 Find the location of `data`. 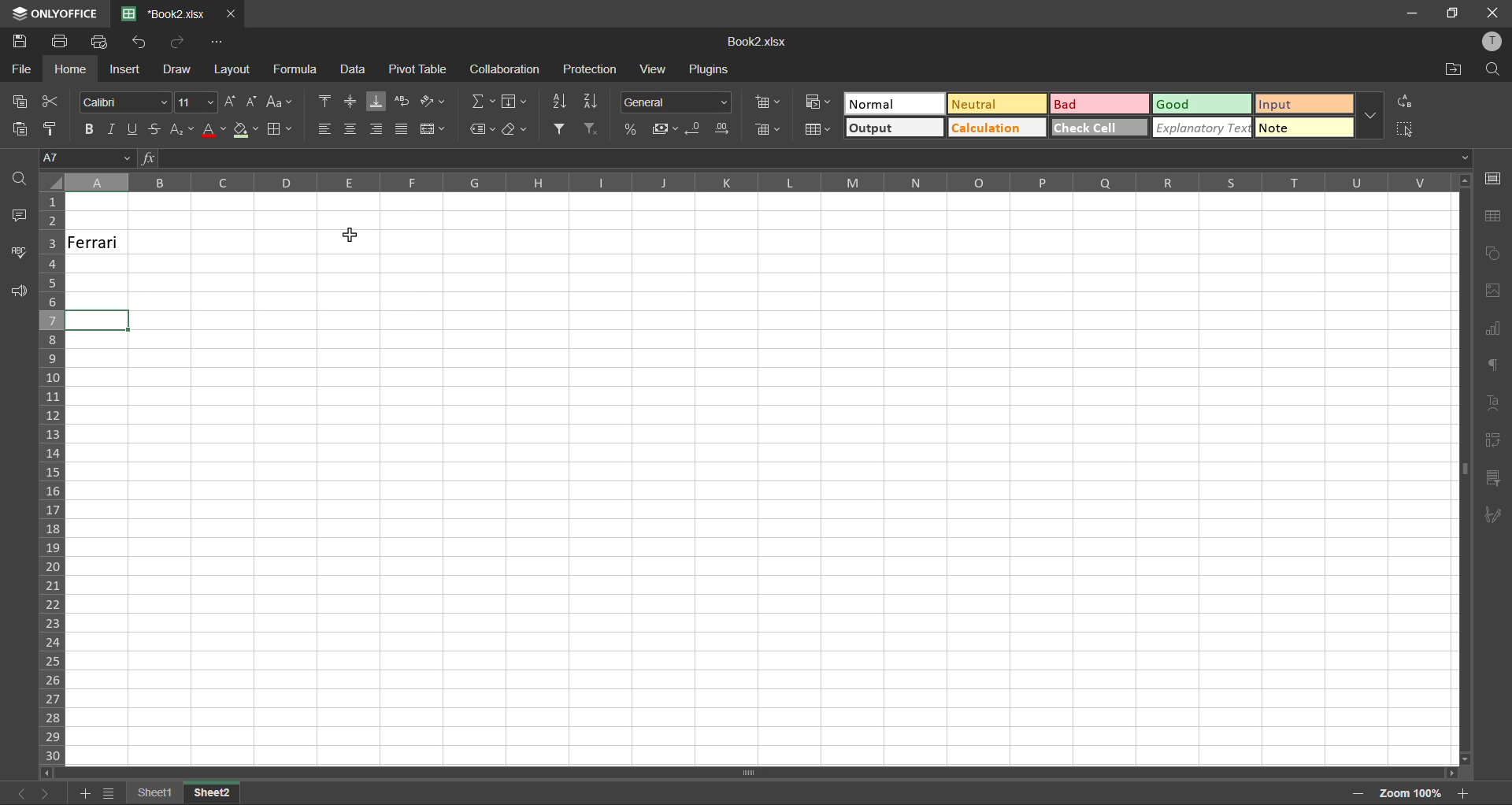

data is located at coordinates (354, 71).